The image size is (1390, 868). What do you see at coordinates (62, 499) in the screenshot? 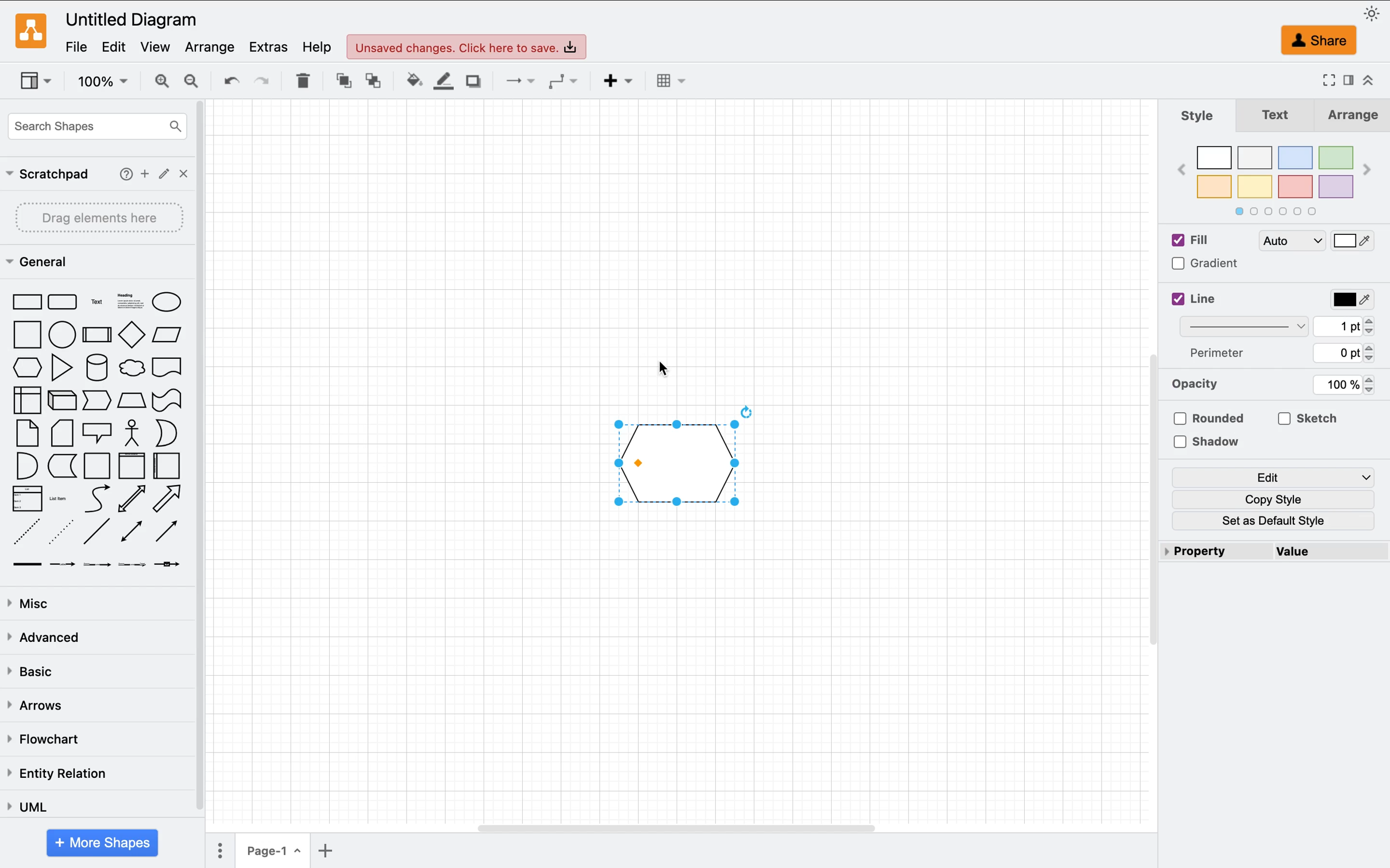
I see `list item` at bounding box center [62, 499].